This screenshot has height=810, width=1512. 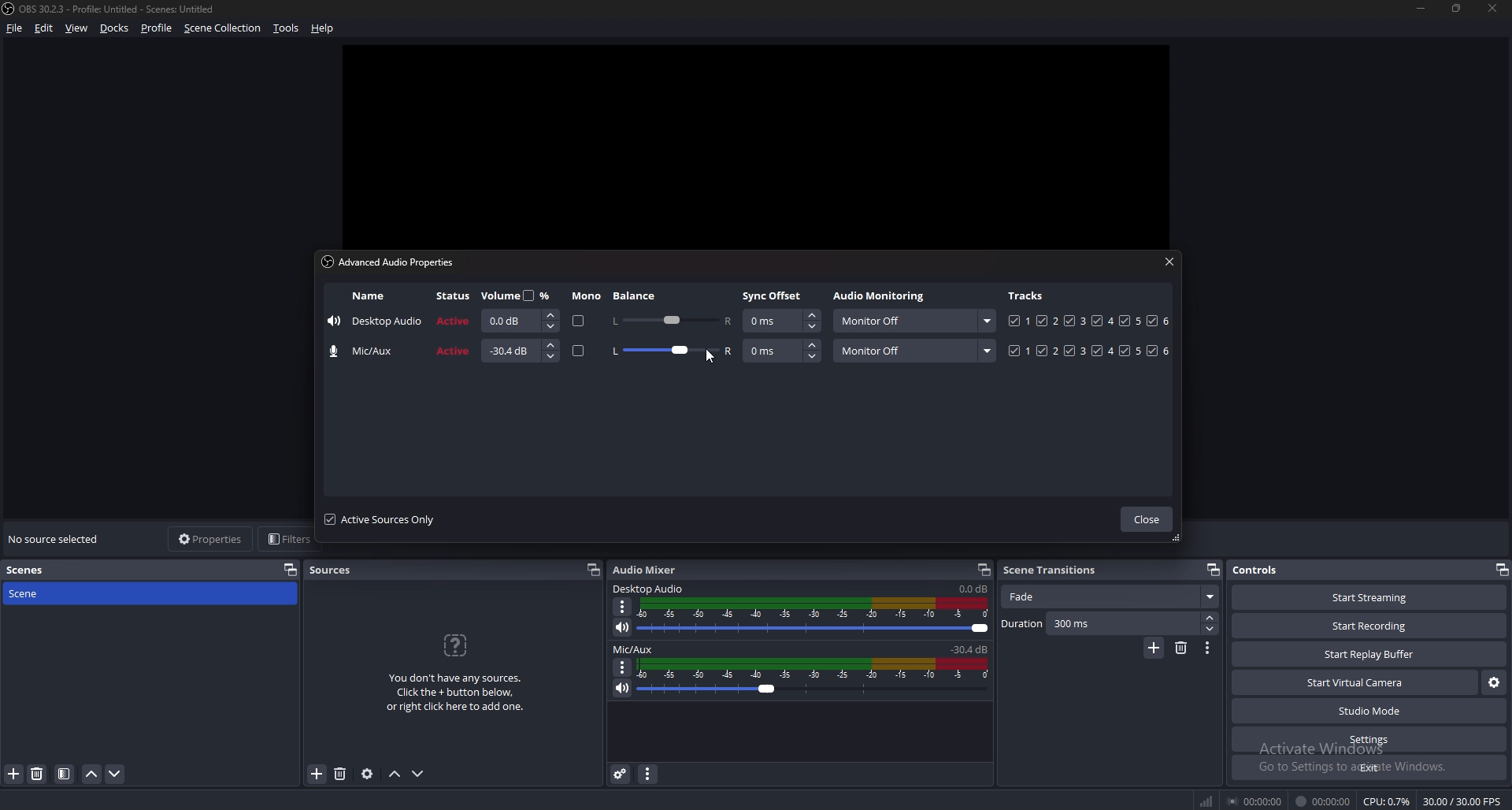 I want to click on volume, so click(x=516, y=295).